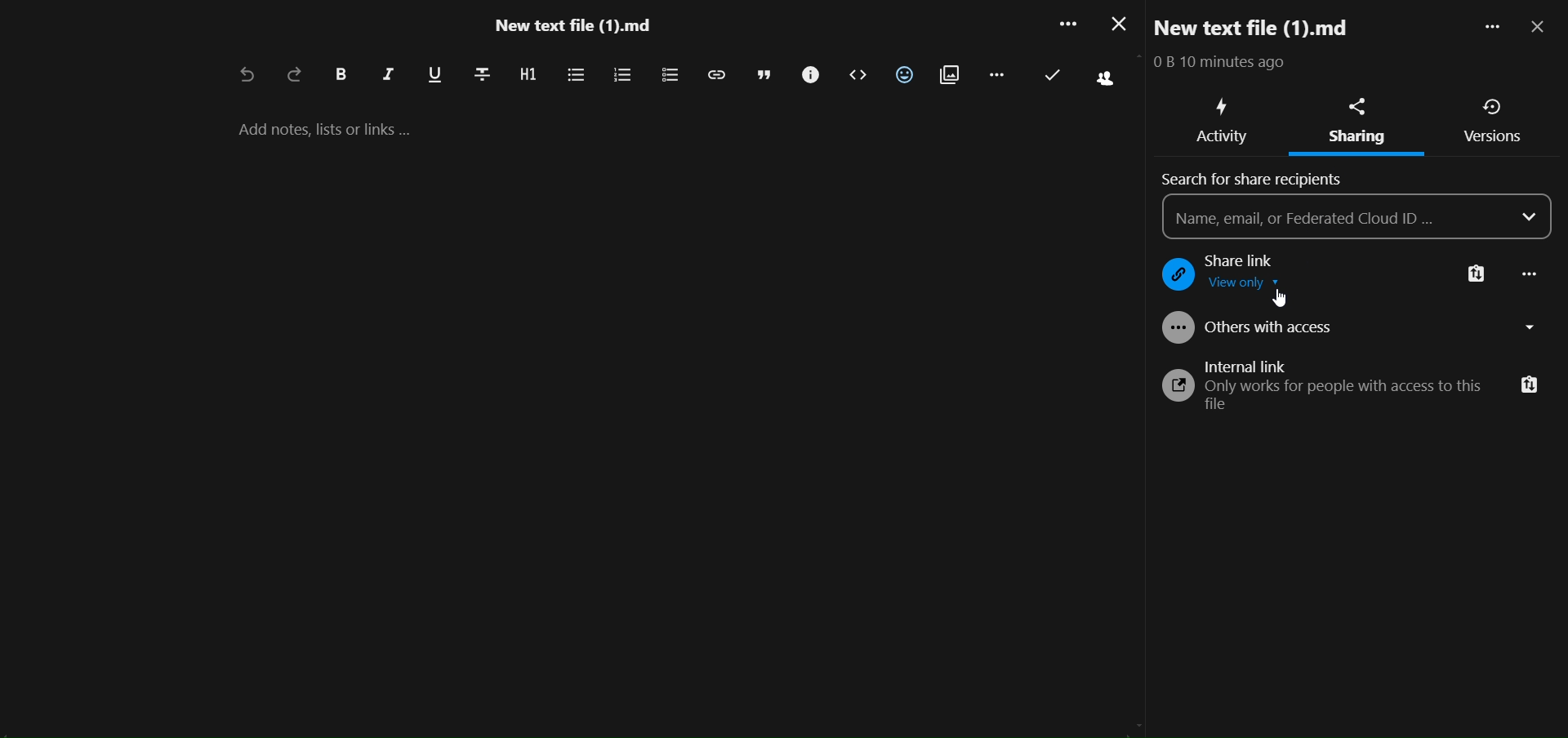 The height and width of the screenshot is (738, 1568). What do you see at coordinates (295, 76) in the screenshot?
I see `redo` at bounding box center [295, 76].